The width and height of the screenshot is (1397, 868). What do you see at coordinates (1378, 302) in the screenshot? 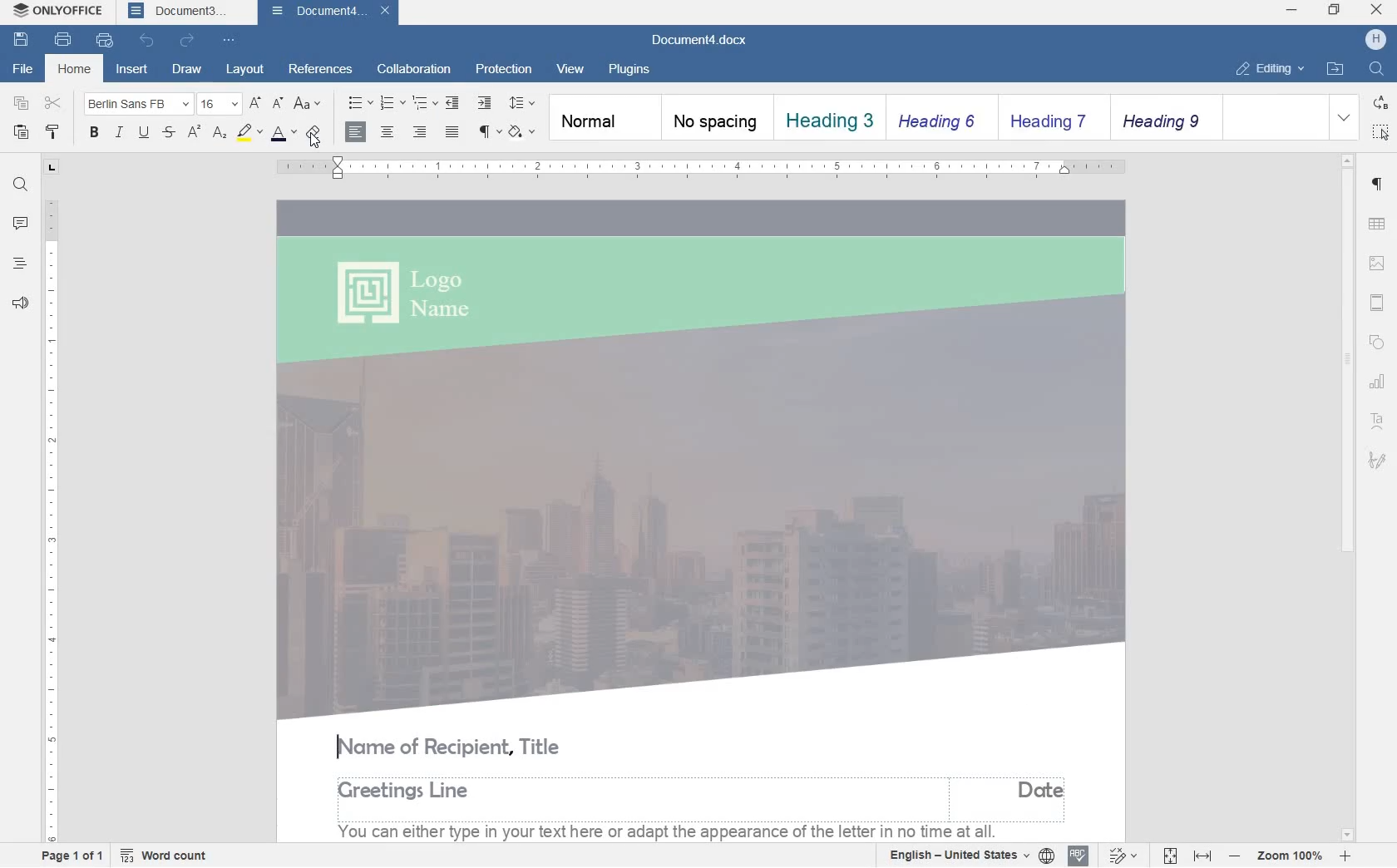
I see `headers & footers` at bounding box center [1378, 302].